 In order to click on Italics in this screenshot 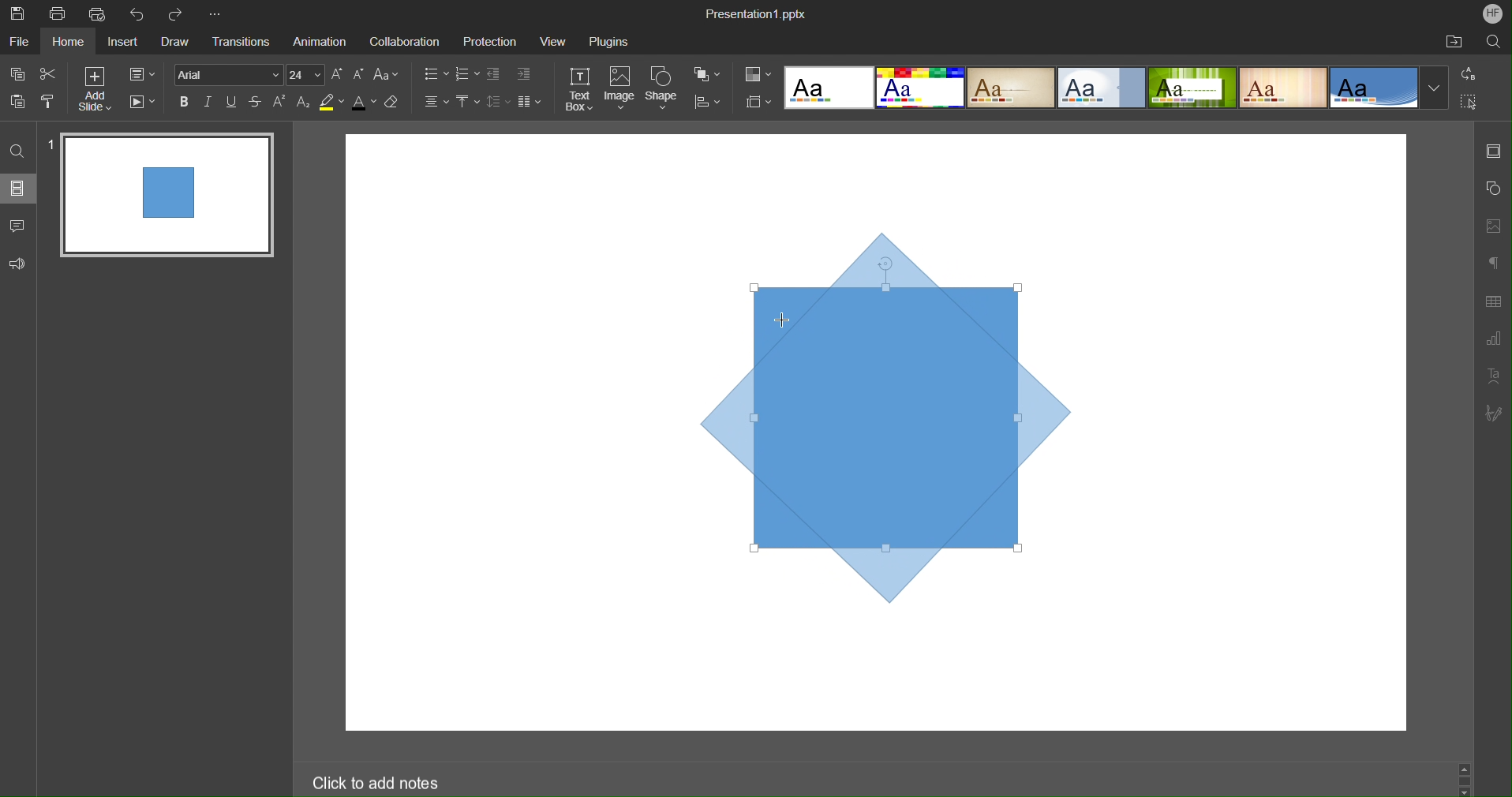, I will do `click(208, 102)`.